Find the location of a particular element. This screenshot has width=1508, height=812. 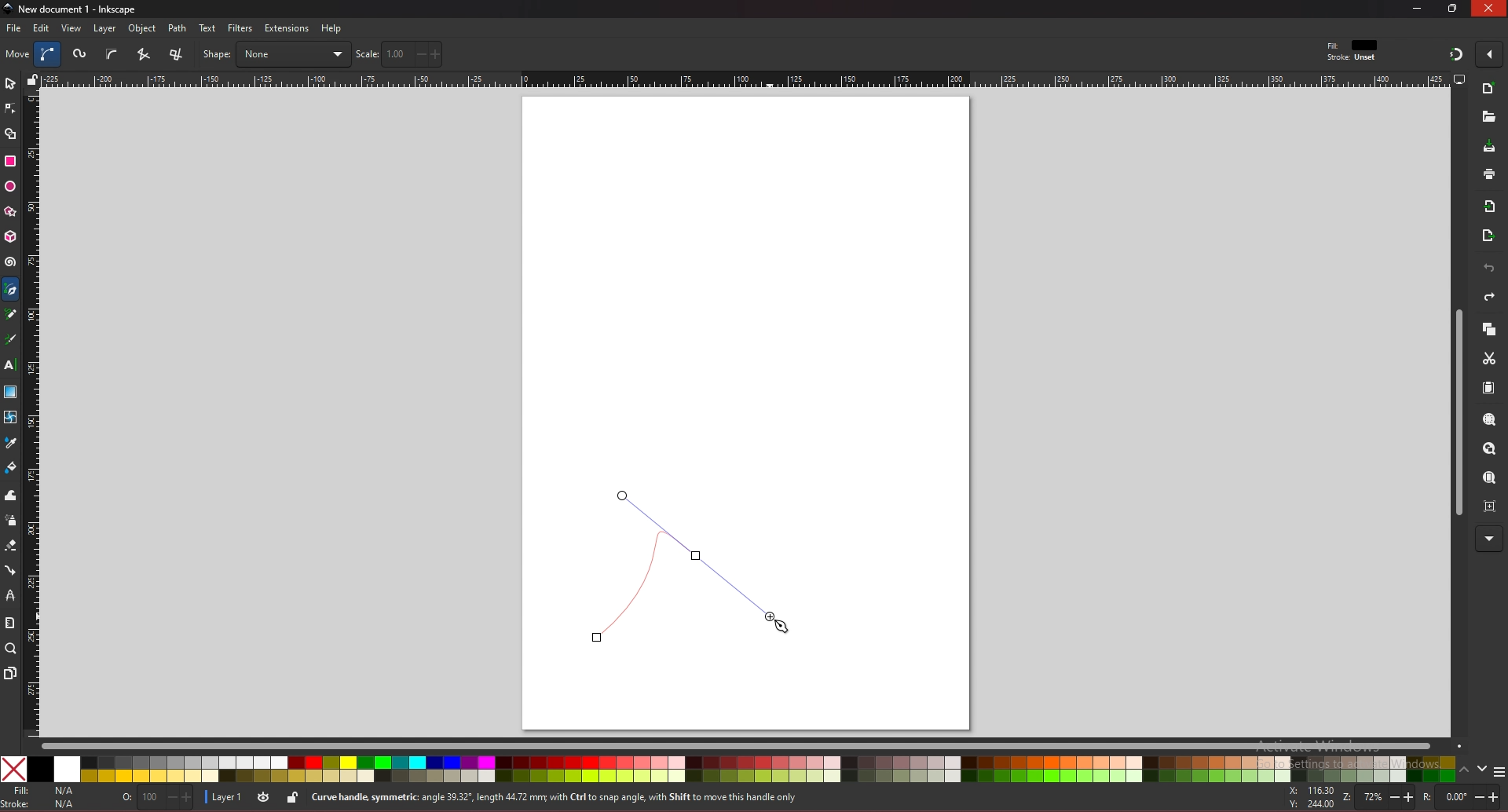

extensions is located at coordinates (286, 29).